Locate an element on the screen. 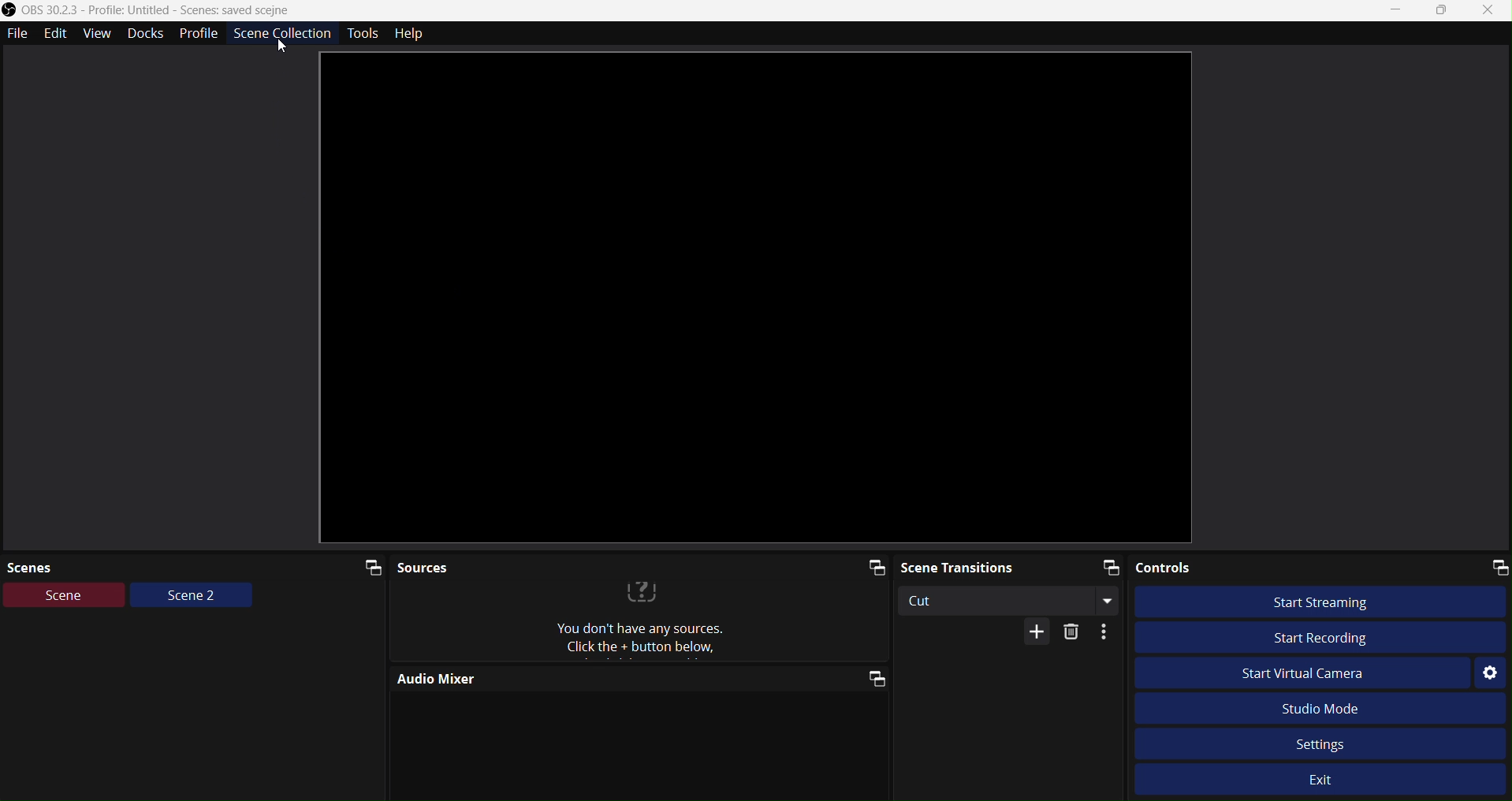 The image size is (1512, 801). Obs studio is located at coordinates (152, 9).